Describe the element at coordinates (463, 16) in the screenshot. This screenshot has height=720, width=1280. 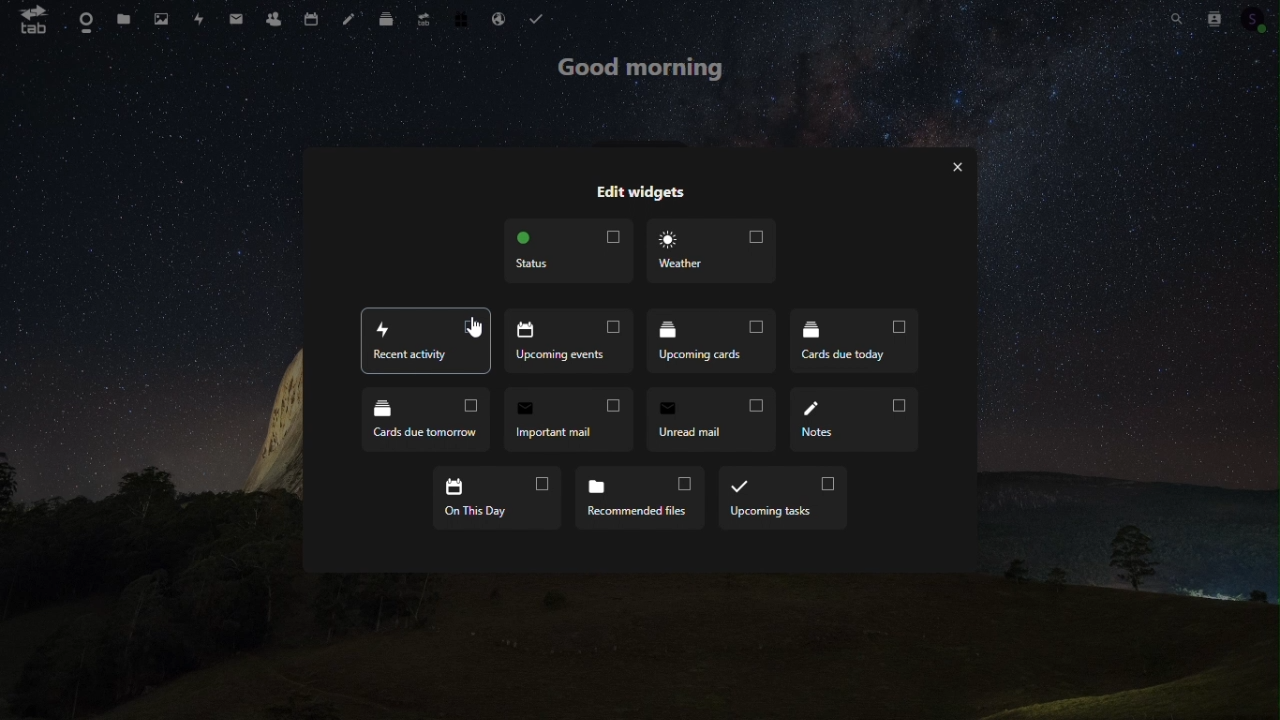
I see `Free trial` at that location.